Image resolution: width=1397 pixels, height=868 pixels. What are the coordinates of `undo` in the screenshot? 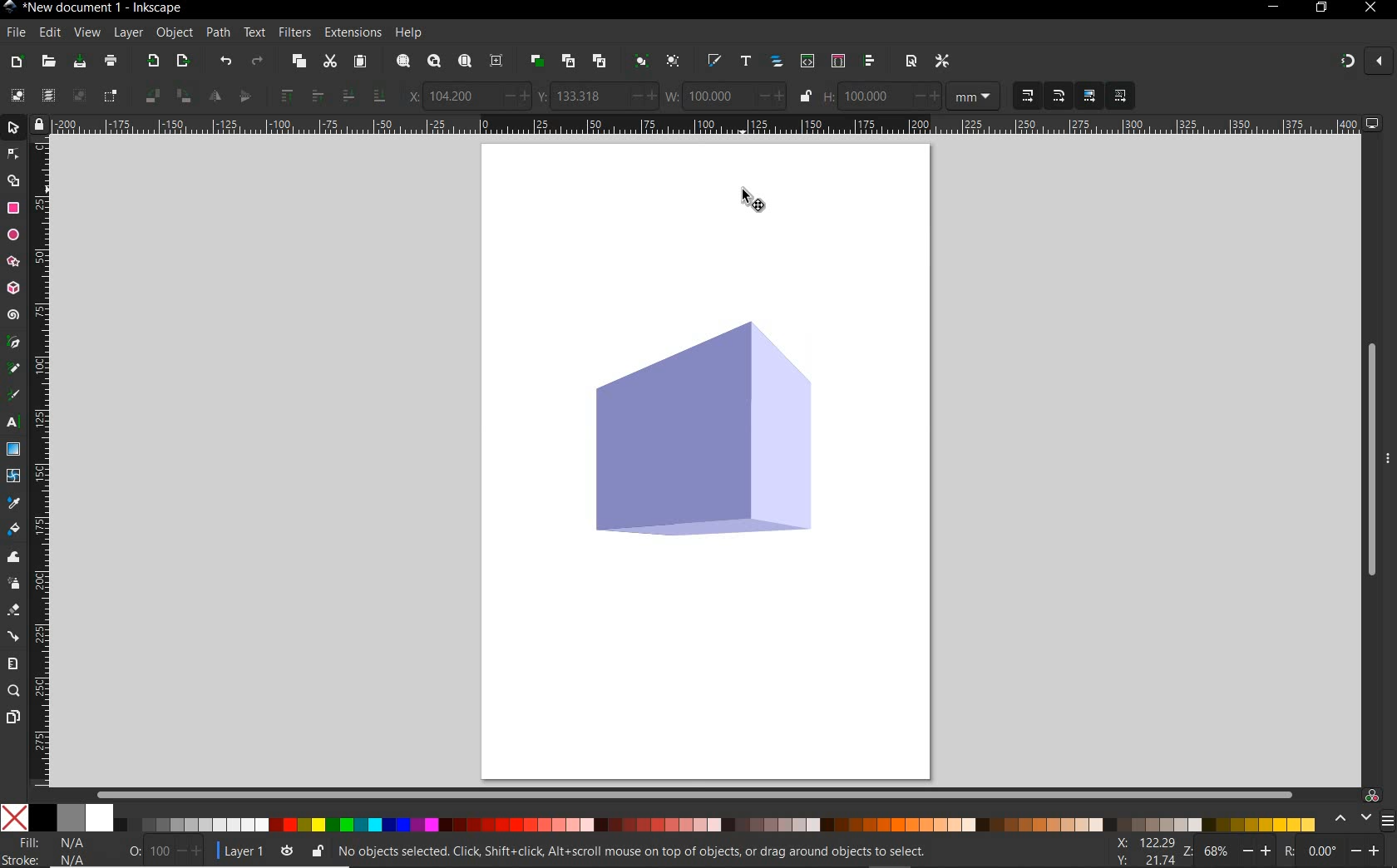 It's located at (225, 61).